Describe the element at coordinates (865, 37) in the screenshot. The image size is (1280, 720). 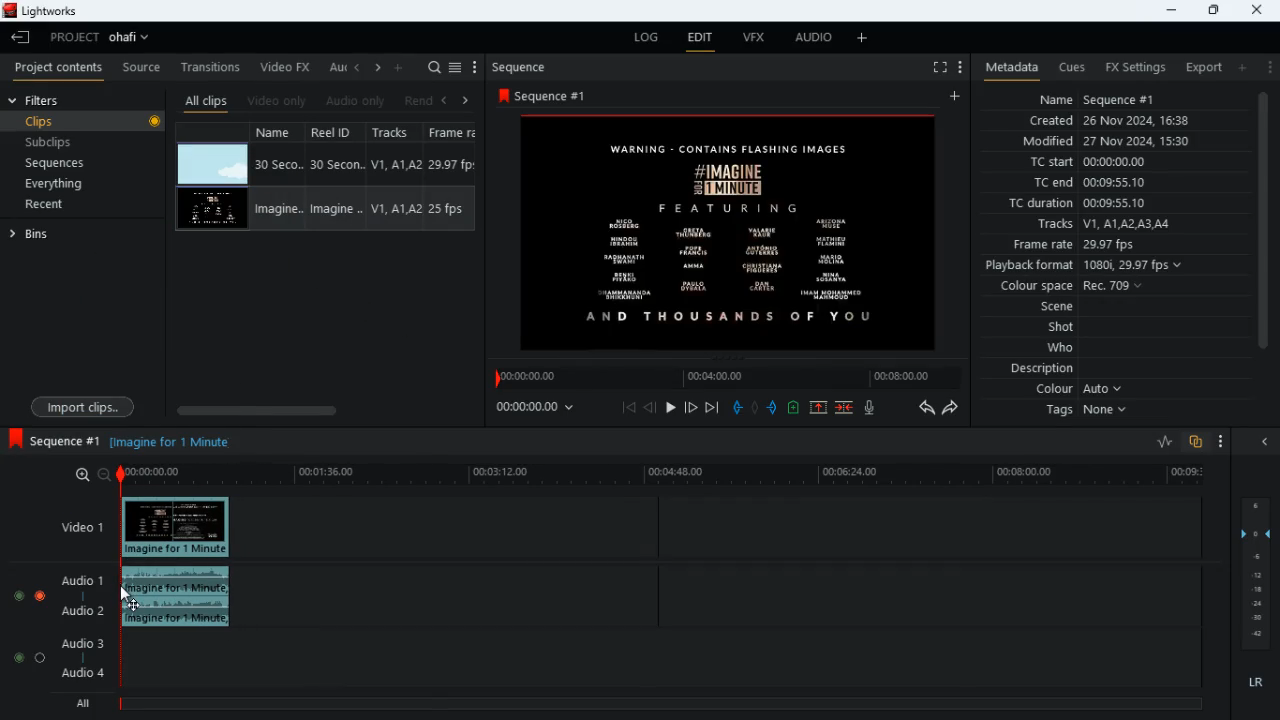
I see `more` at that location.